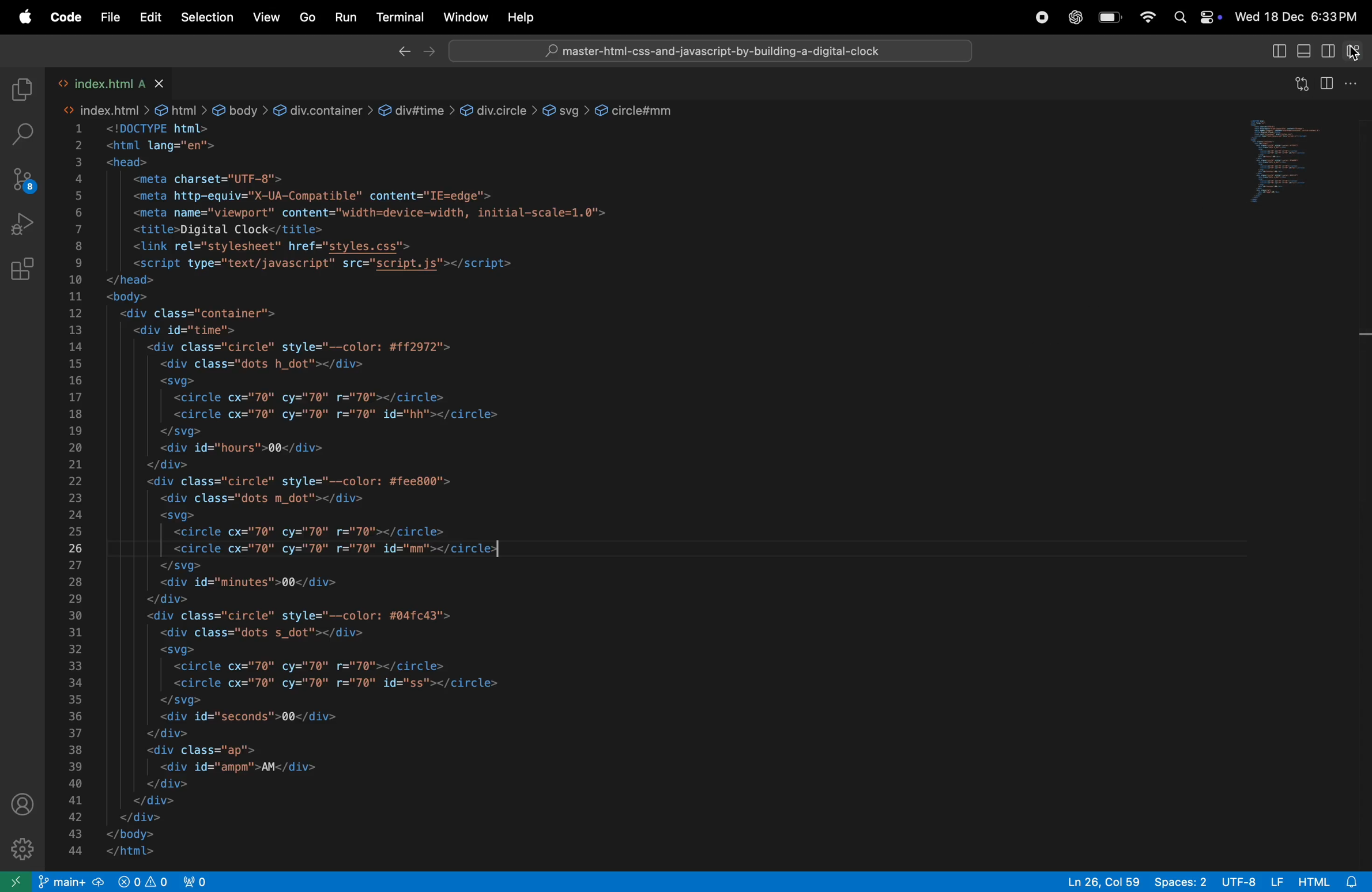 The width and height of the screenshot is (1372, 892). Describe the element at coordinates (22, 134) in the screenshot. I see `seach` at that location.